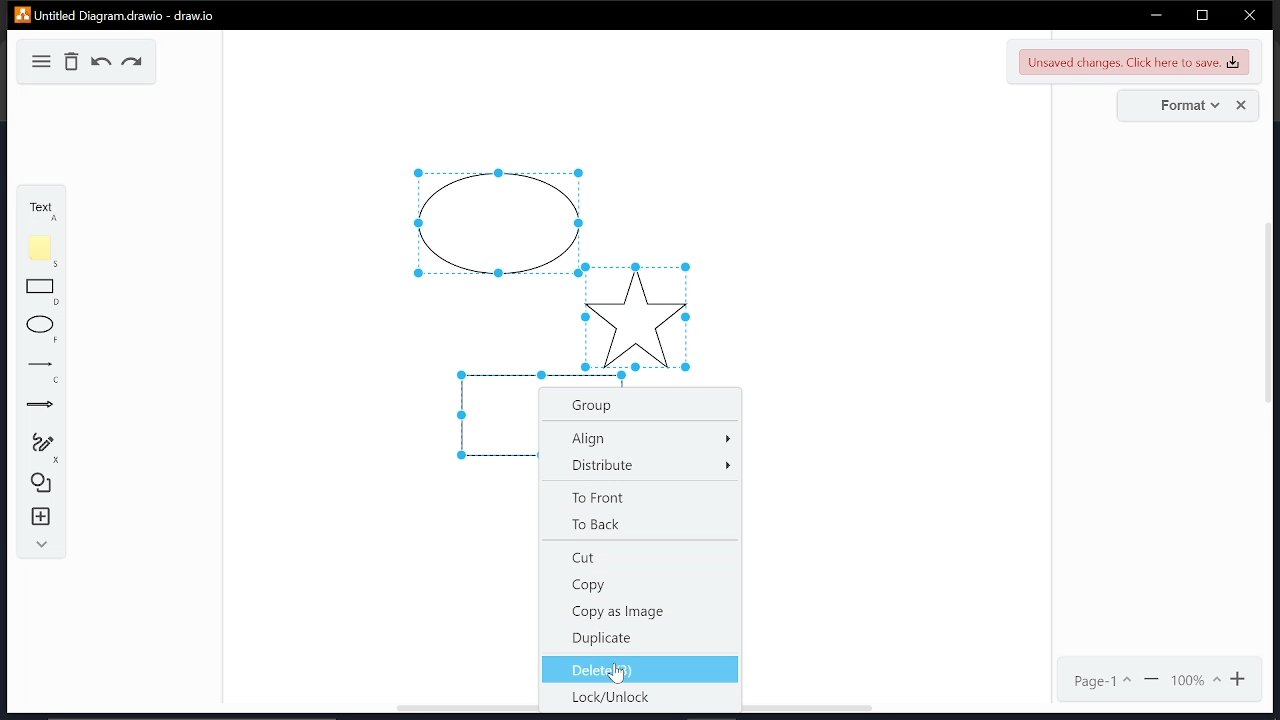 The image size is (1280, 720). Describe the element at coordinates (1249, 17) in the screenshot. I see `close` at that location.